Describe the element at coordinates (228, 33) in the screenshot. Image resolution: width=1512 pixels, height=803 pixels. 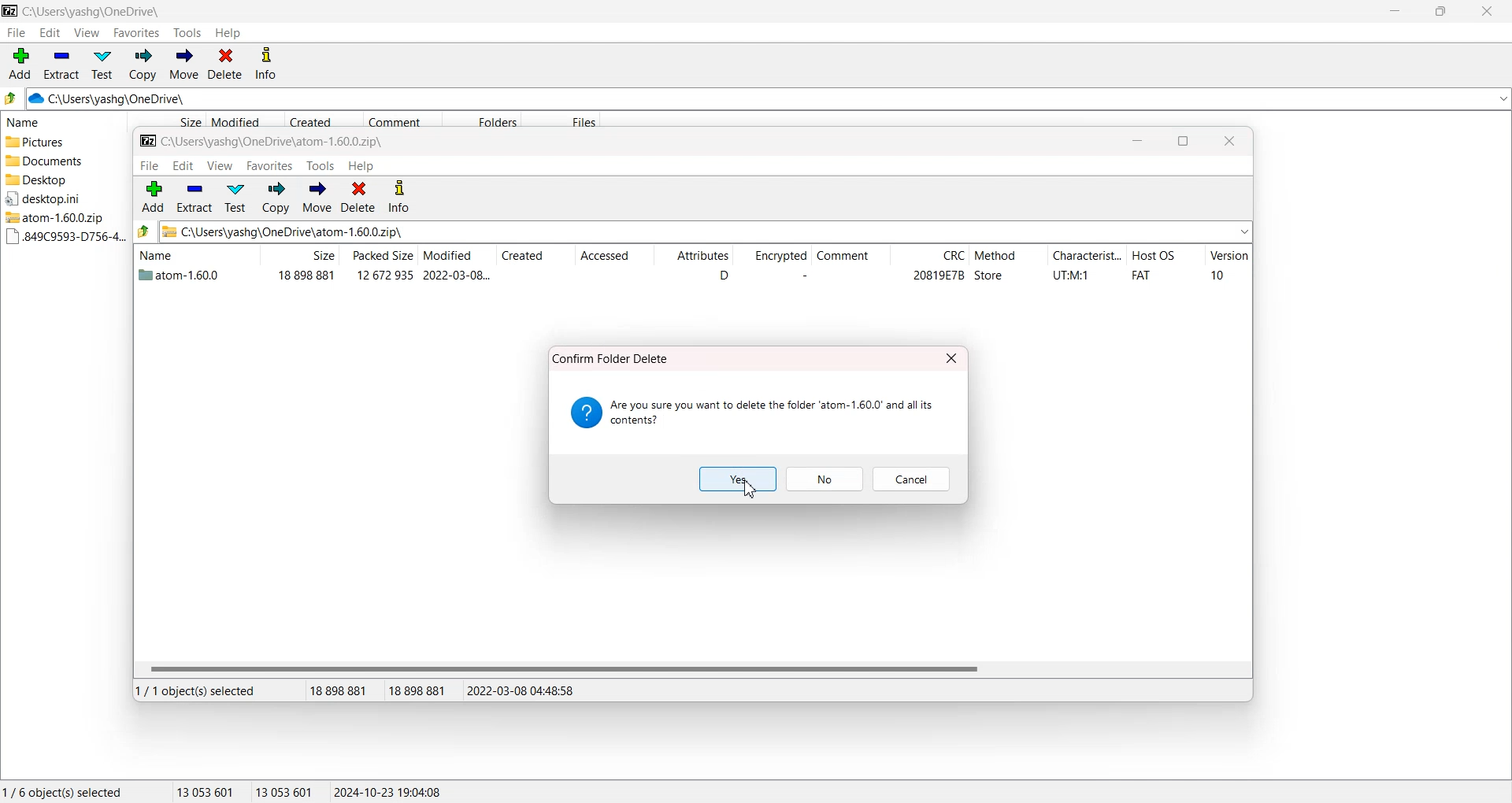
I see `Help` at that location.